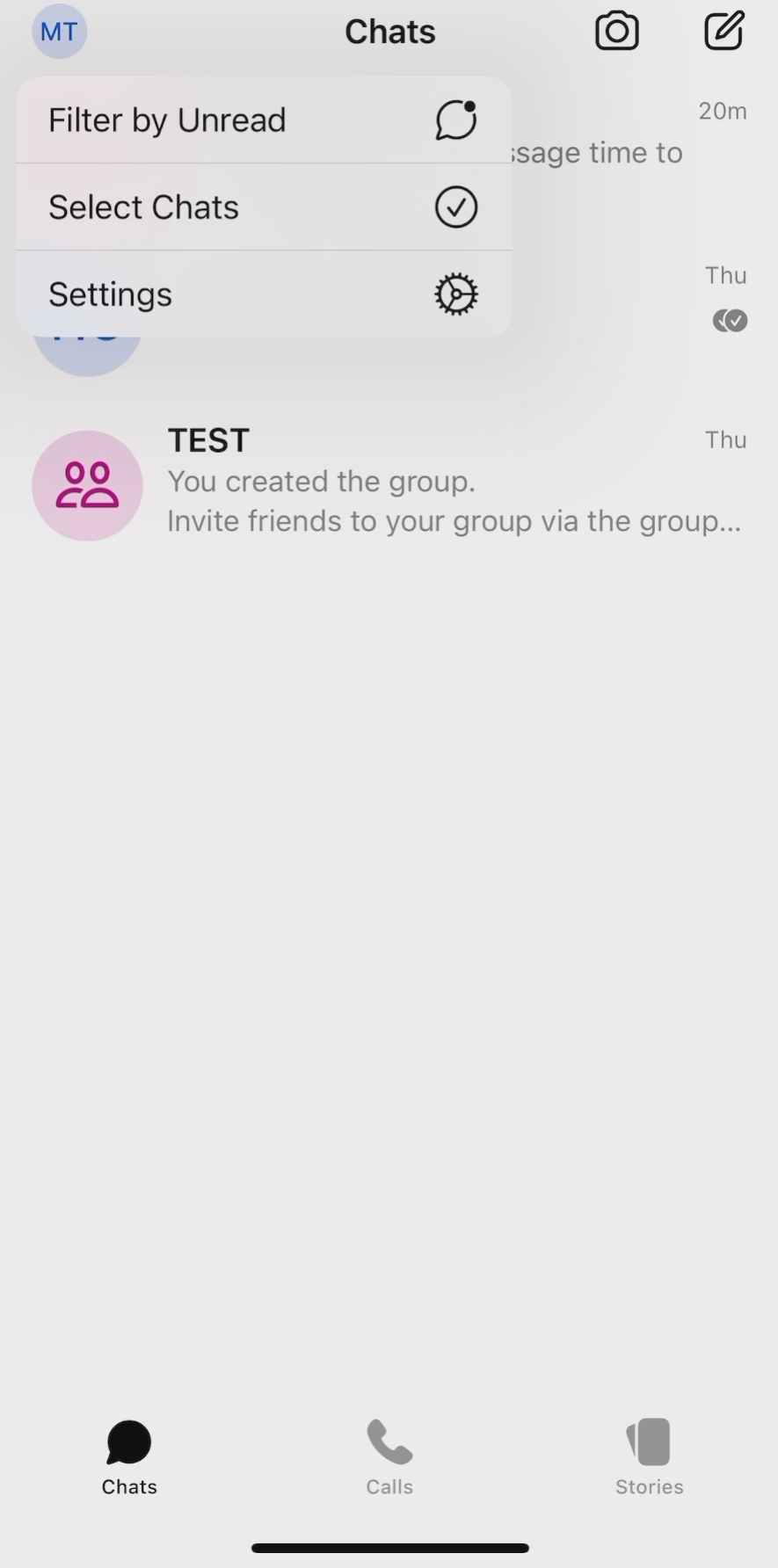  I want to click on new chat, so click(725, 33).